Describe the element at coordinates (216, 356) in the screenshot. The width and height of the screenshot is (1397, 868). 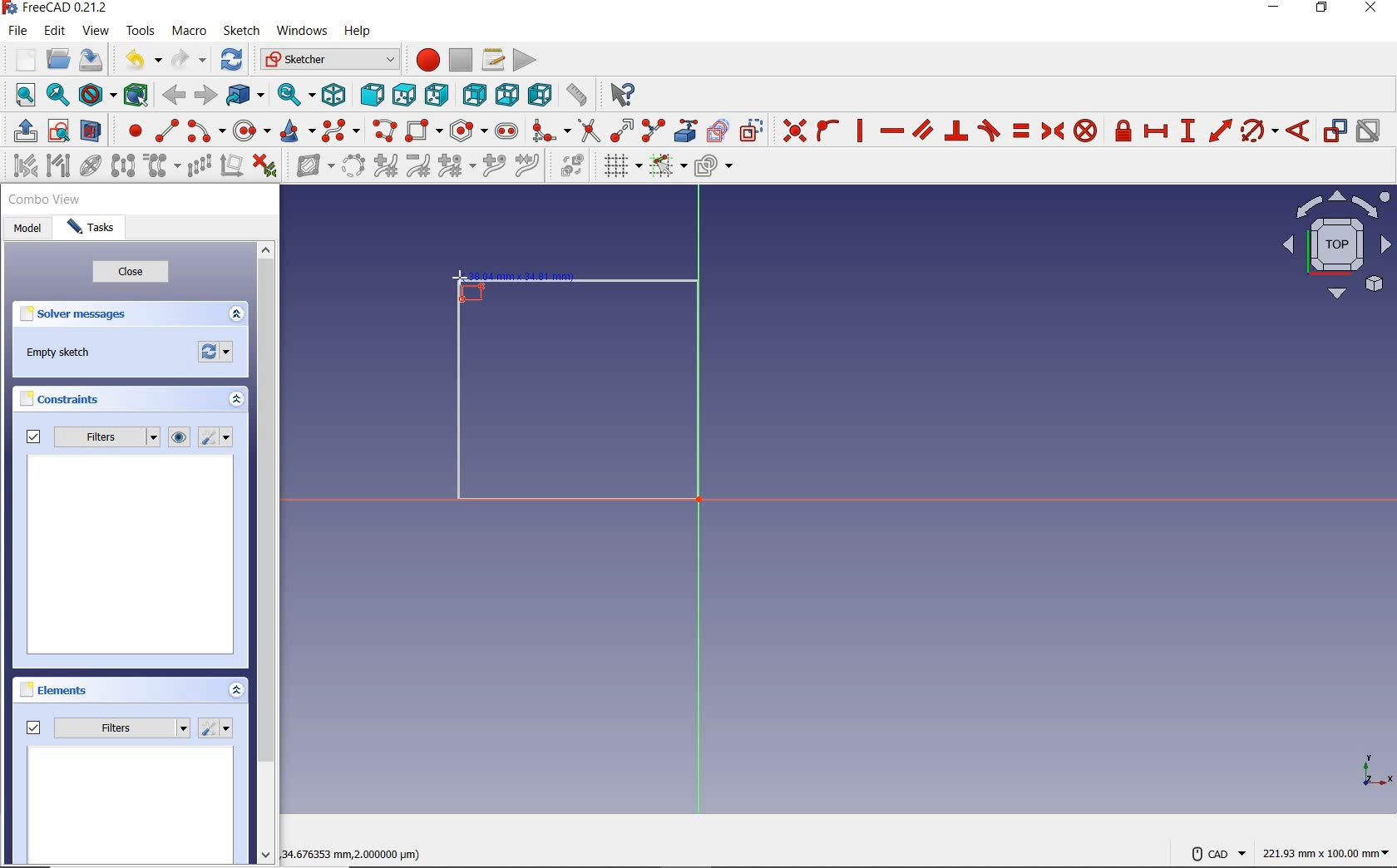
I see `forces recomputation of active document` at that location.